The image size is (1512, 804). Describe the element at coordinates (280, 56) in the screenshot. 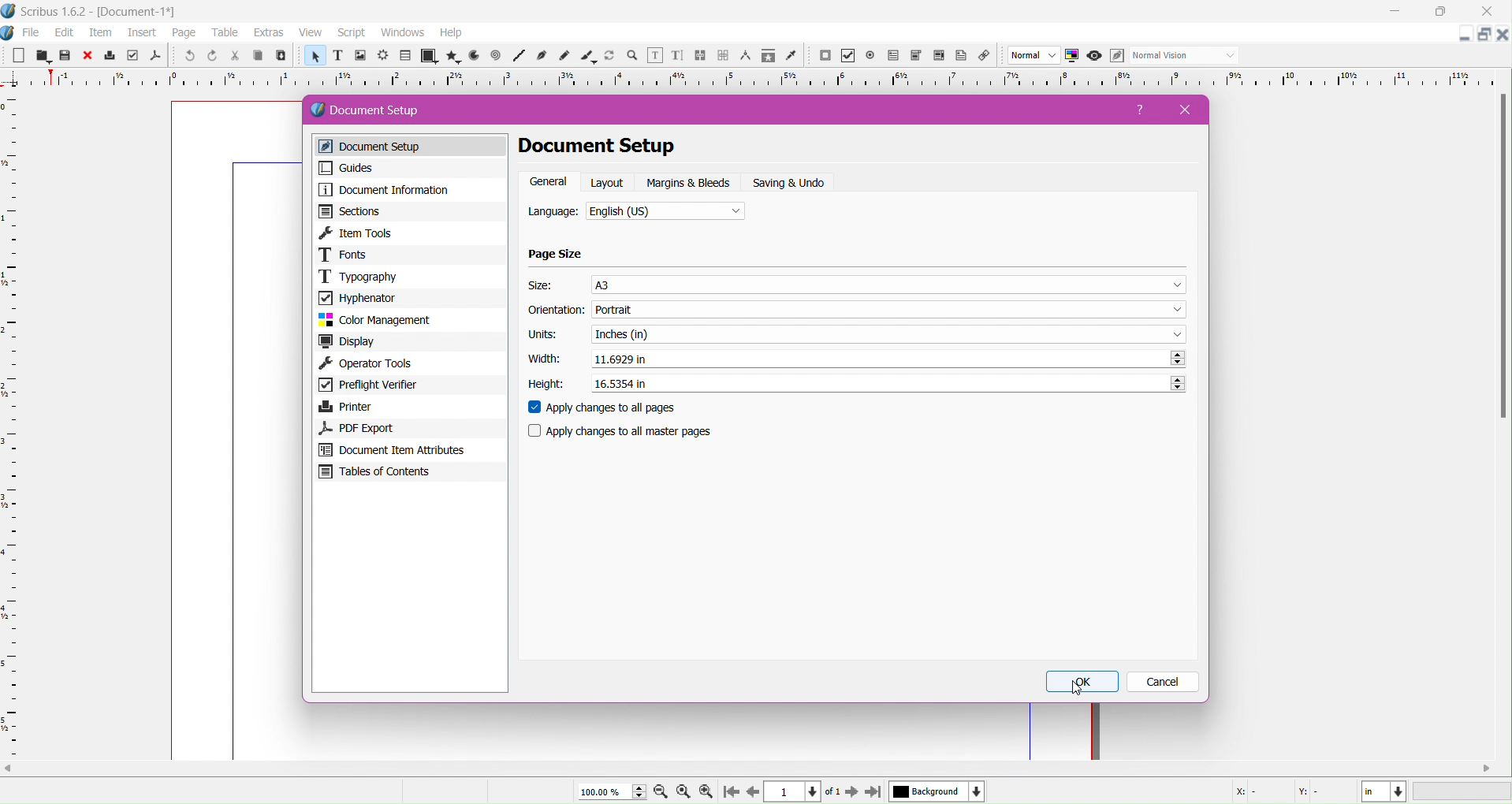

I see `paste` at that location.